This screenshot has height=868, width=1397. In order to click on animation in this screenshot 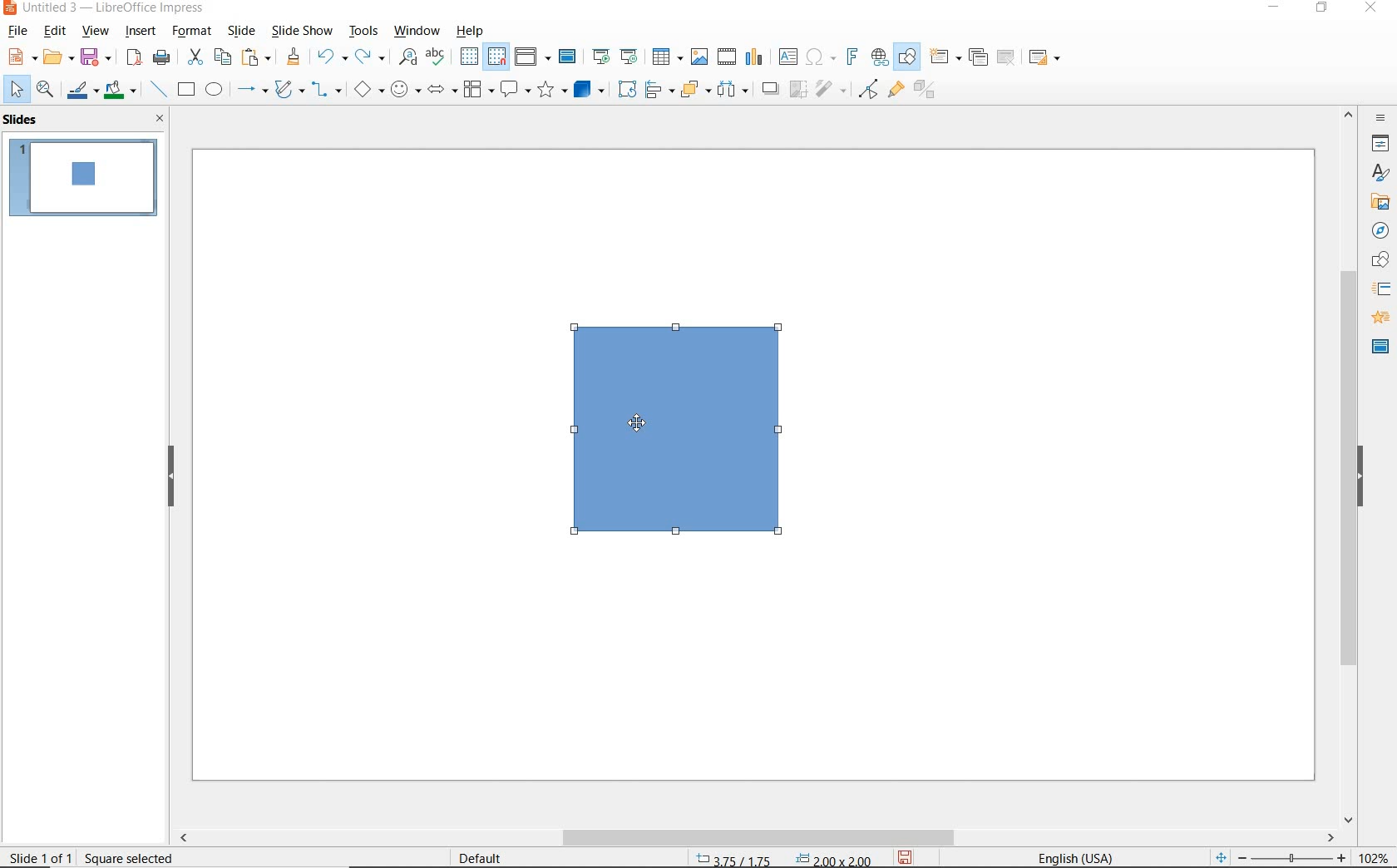, I will do `click(1378, 317)`.